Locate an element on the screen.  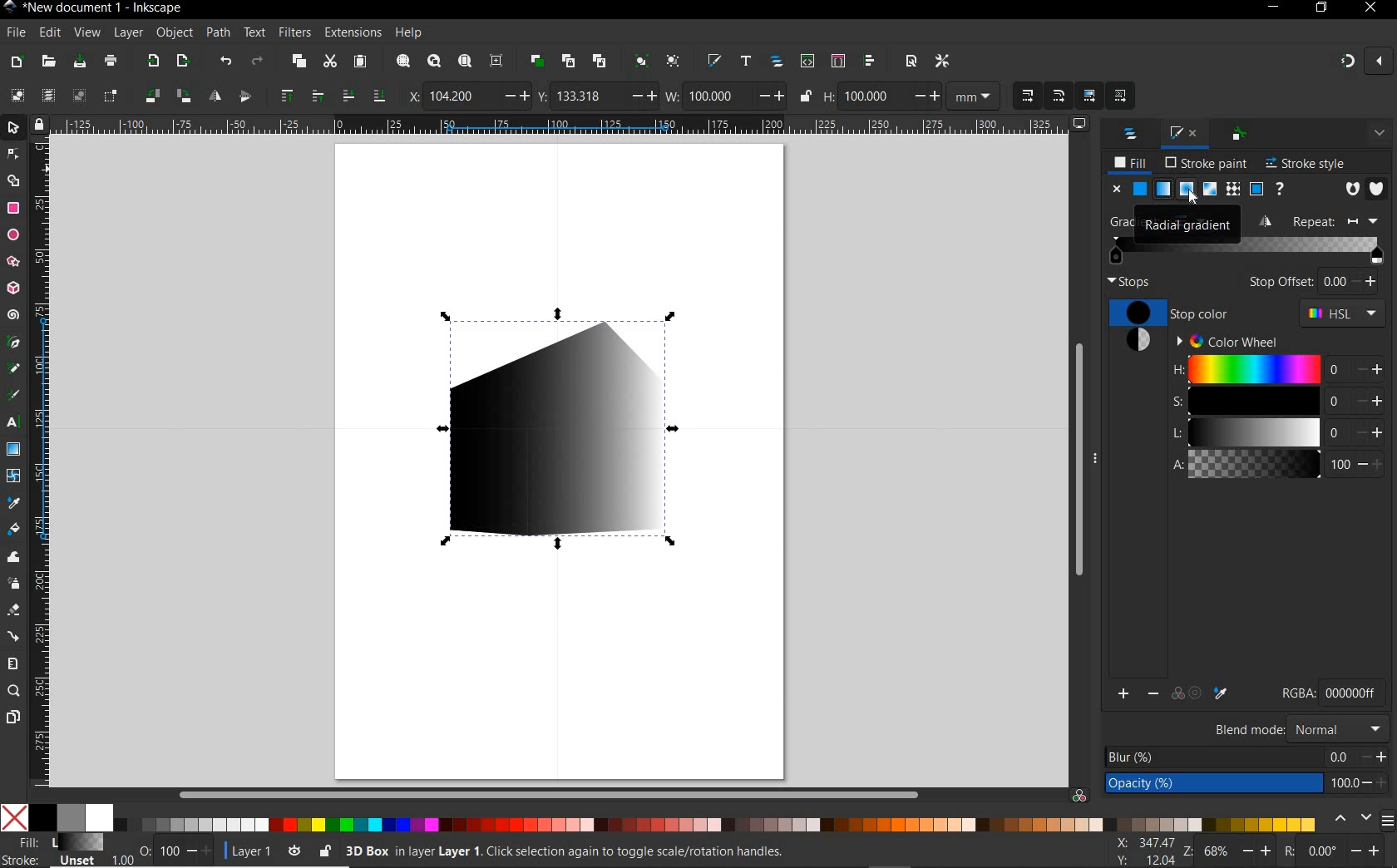
COPY is located at coordinates (300, 63).